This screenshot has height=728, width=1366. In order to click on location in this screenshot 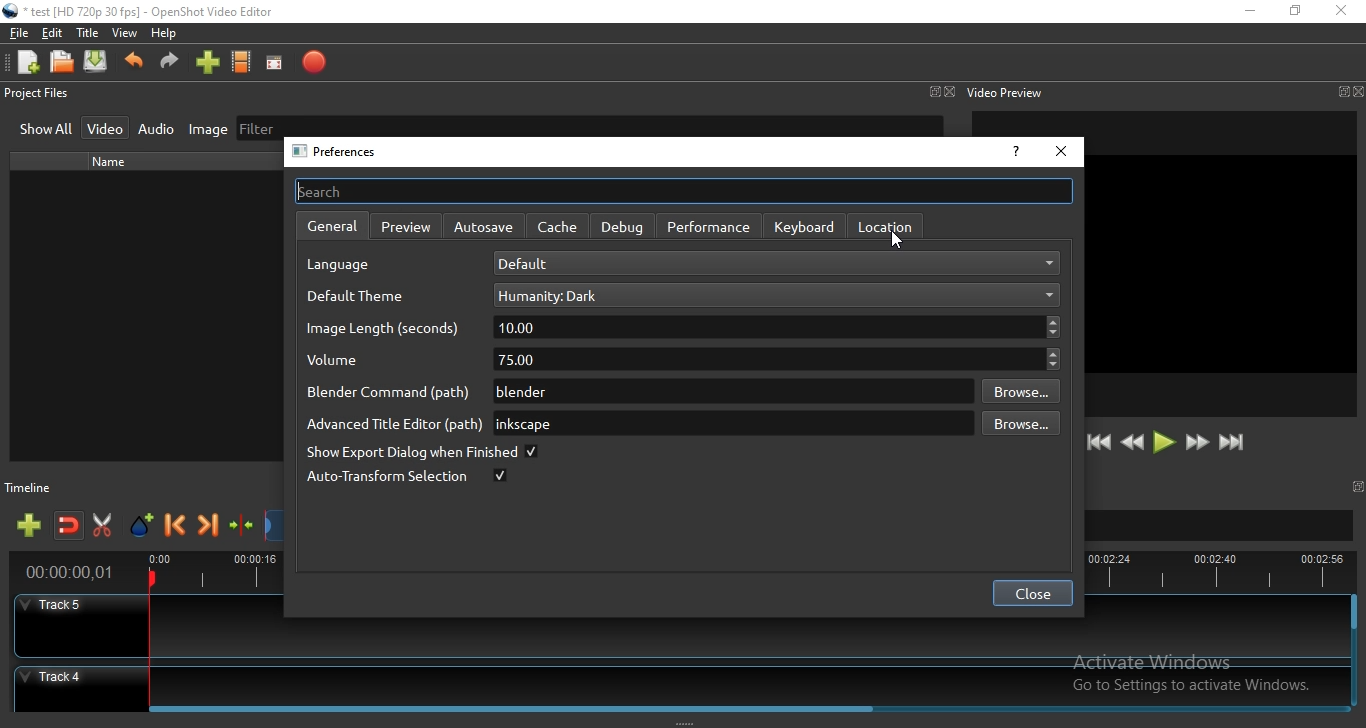, I will do `click(884, 225)`.